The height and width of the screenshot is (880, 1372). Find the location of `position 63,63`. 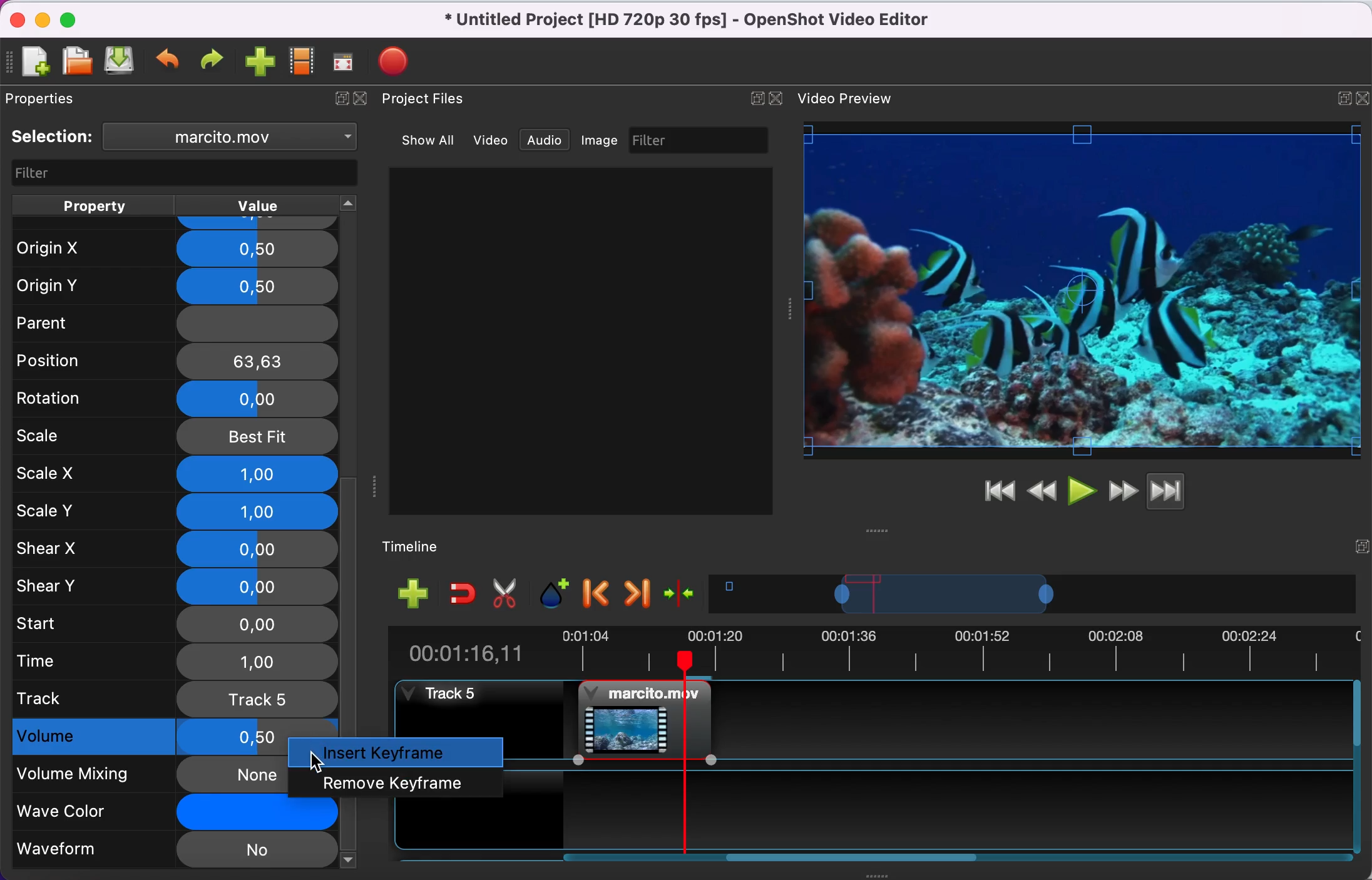

position 63,63 is located at coordinates (178, 361).